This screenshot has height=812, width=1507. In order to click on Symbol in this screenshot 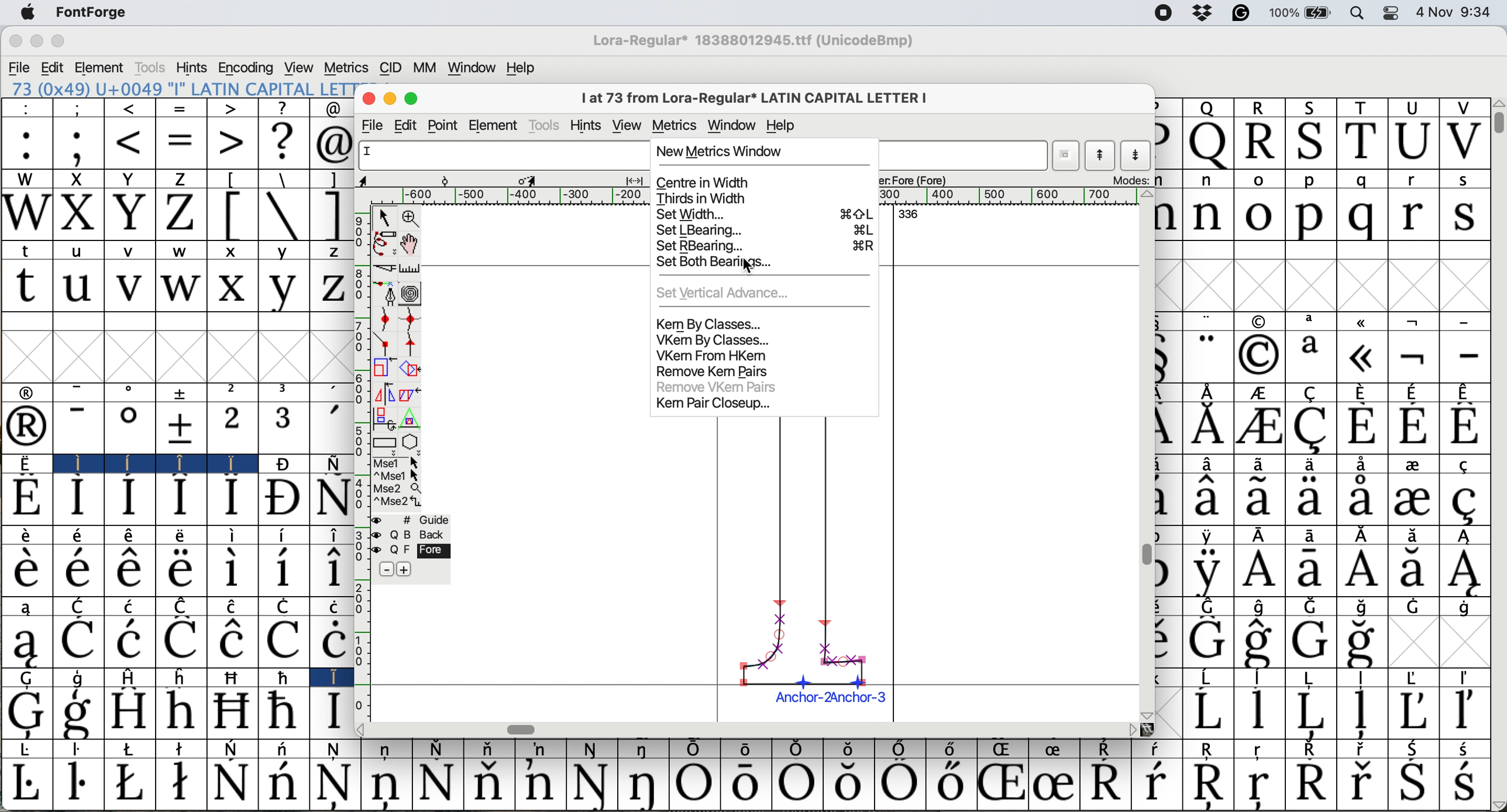, I will do `click(1207, 499)`.